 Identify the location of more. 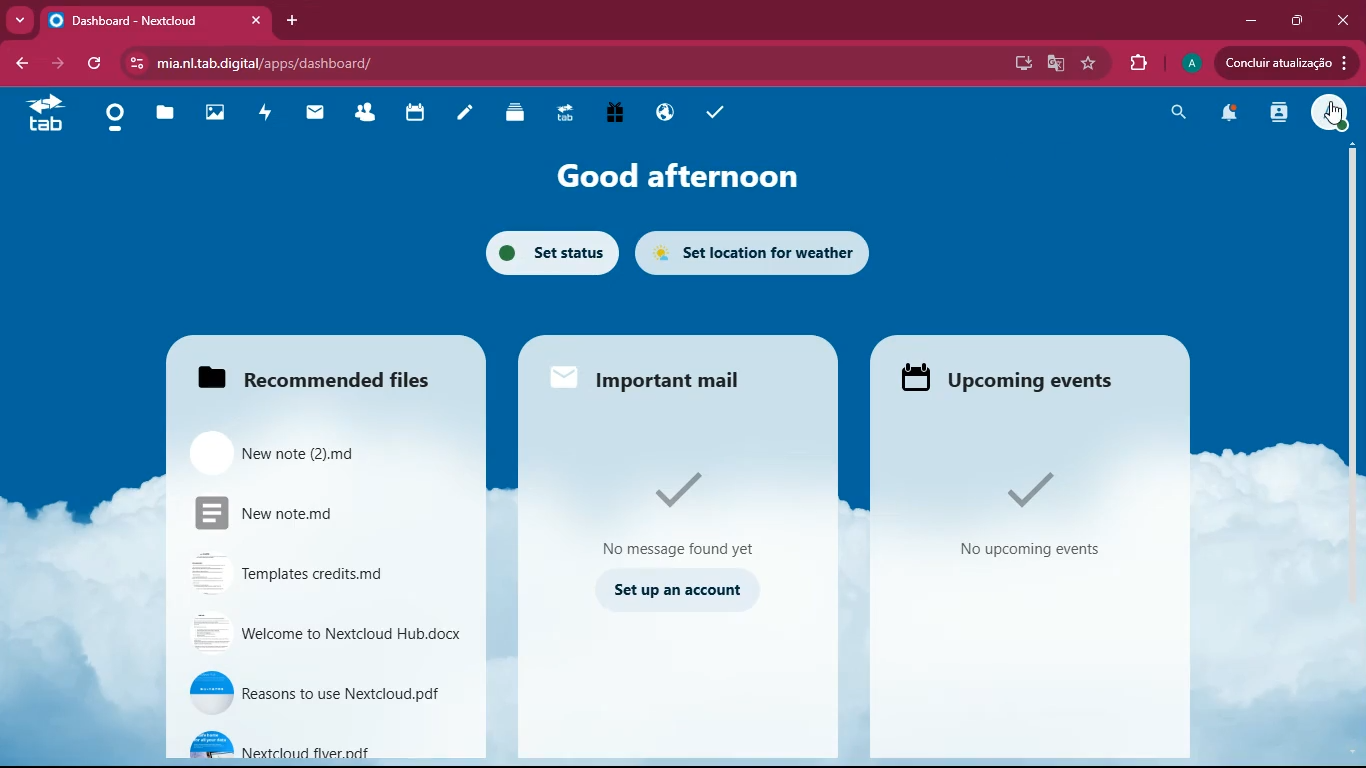
(19, 20).